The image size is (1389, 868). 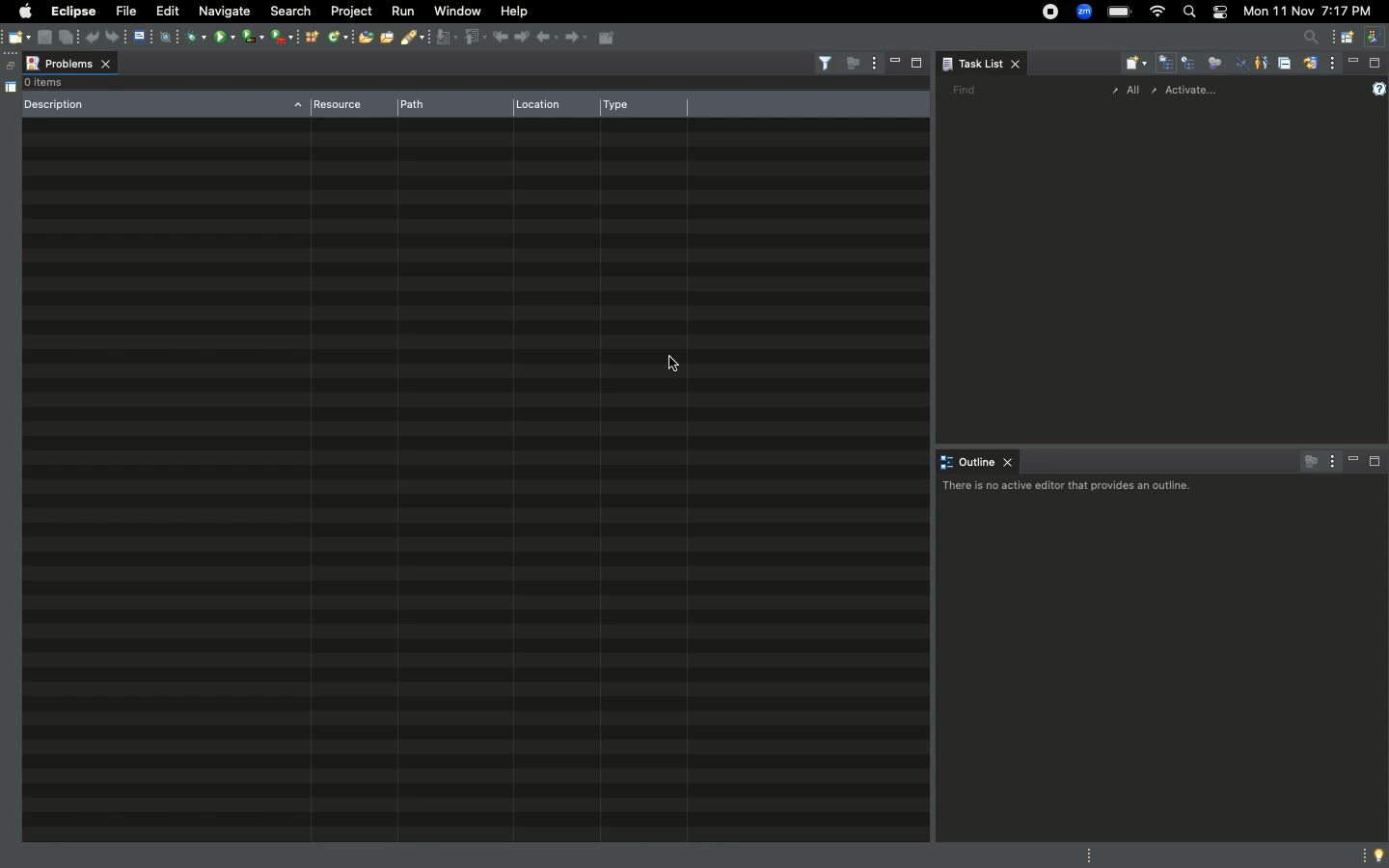 I want to click on Problems, so click(x=72, y=60).